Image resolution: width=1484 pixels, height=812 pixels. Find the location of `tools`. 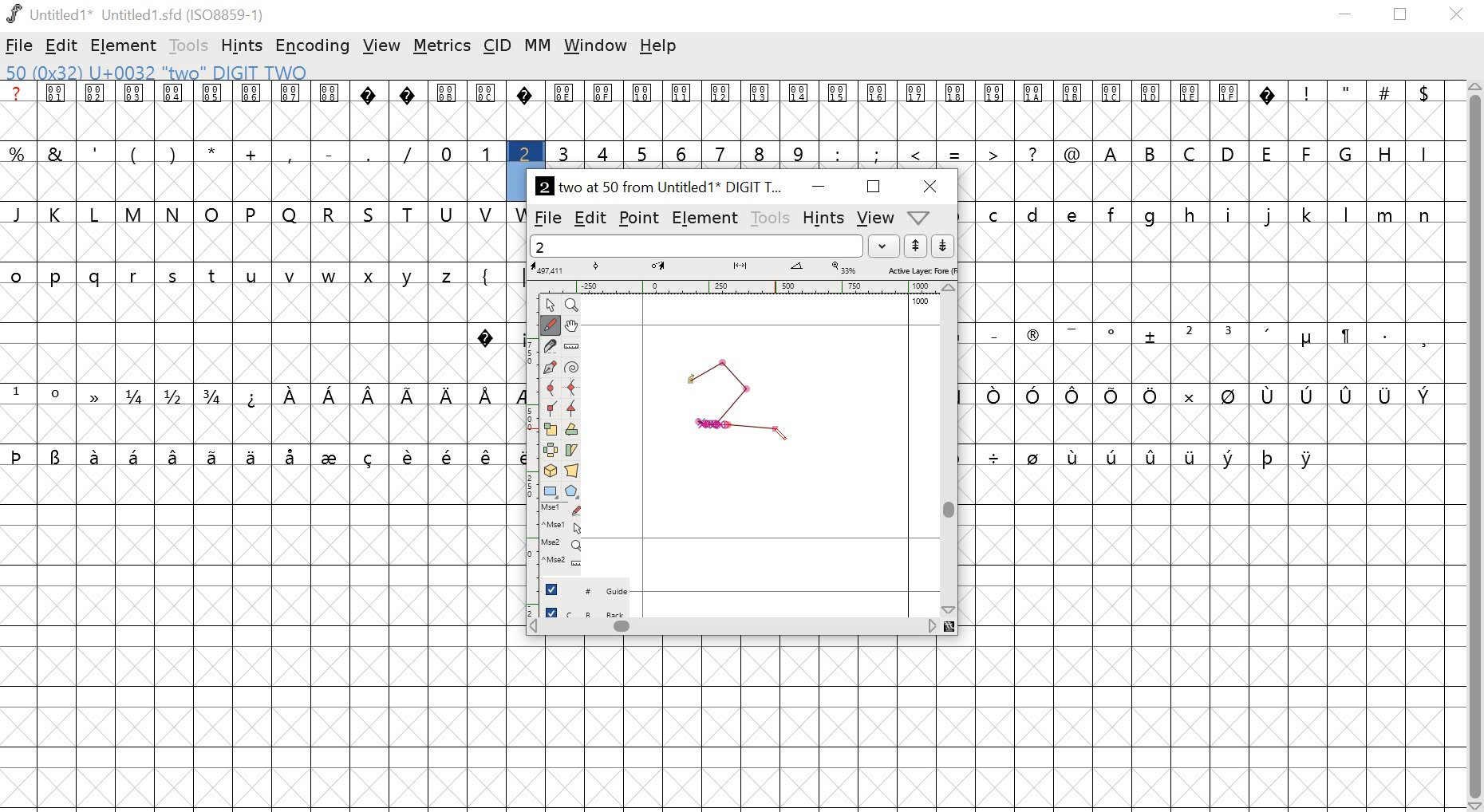

tools is located at coordinates (772, 217).